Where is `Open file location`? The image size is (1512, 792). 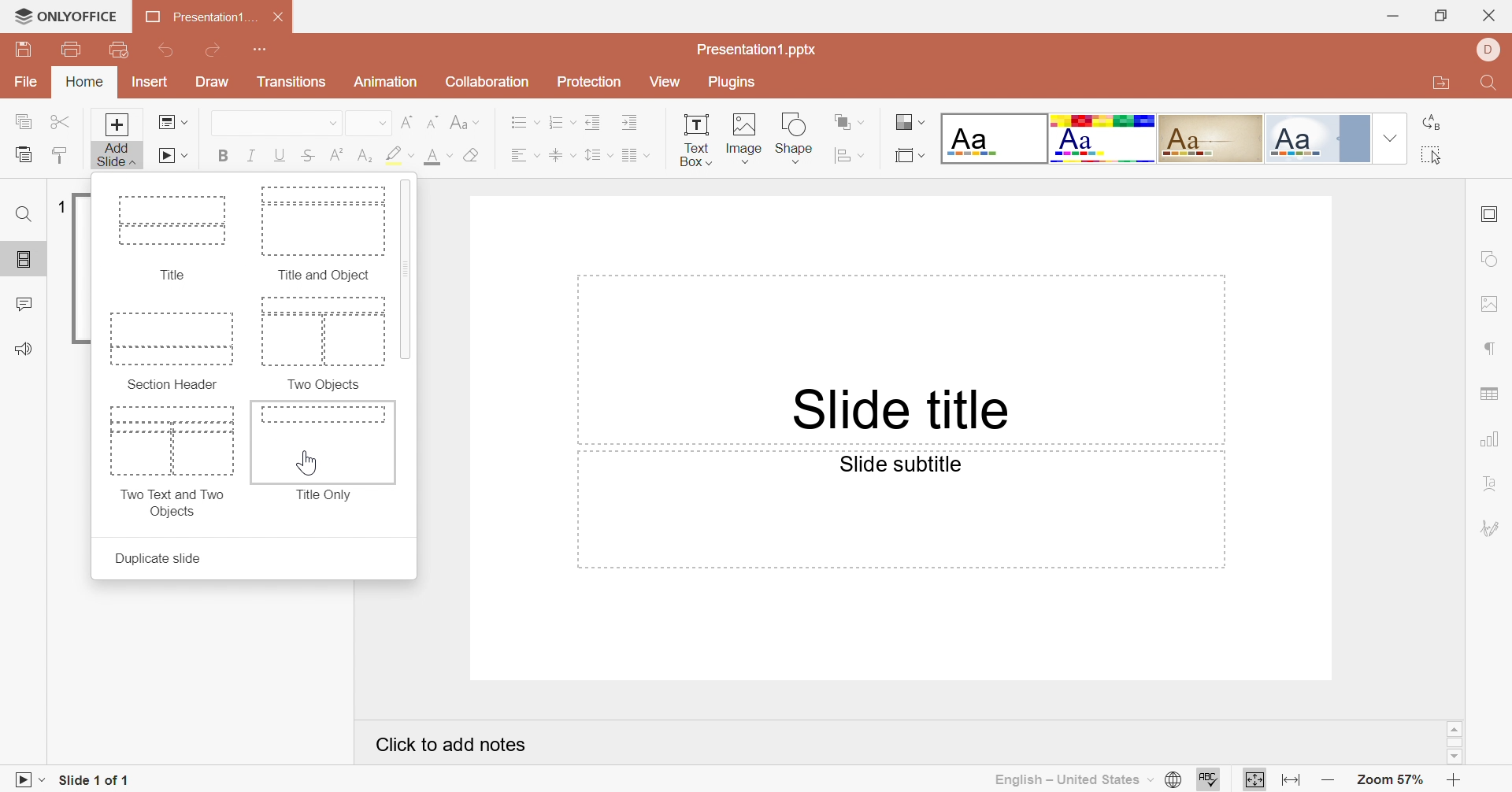
Open file location is located at coordinates (1436, 83).